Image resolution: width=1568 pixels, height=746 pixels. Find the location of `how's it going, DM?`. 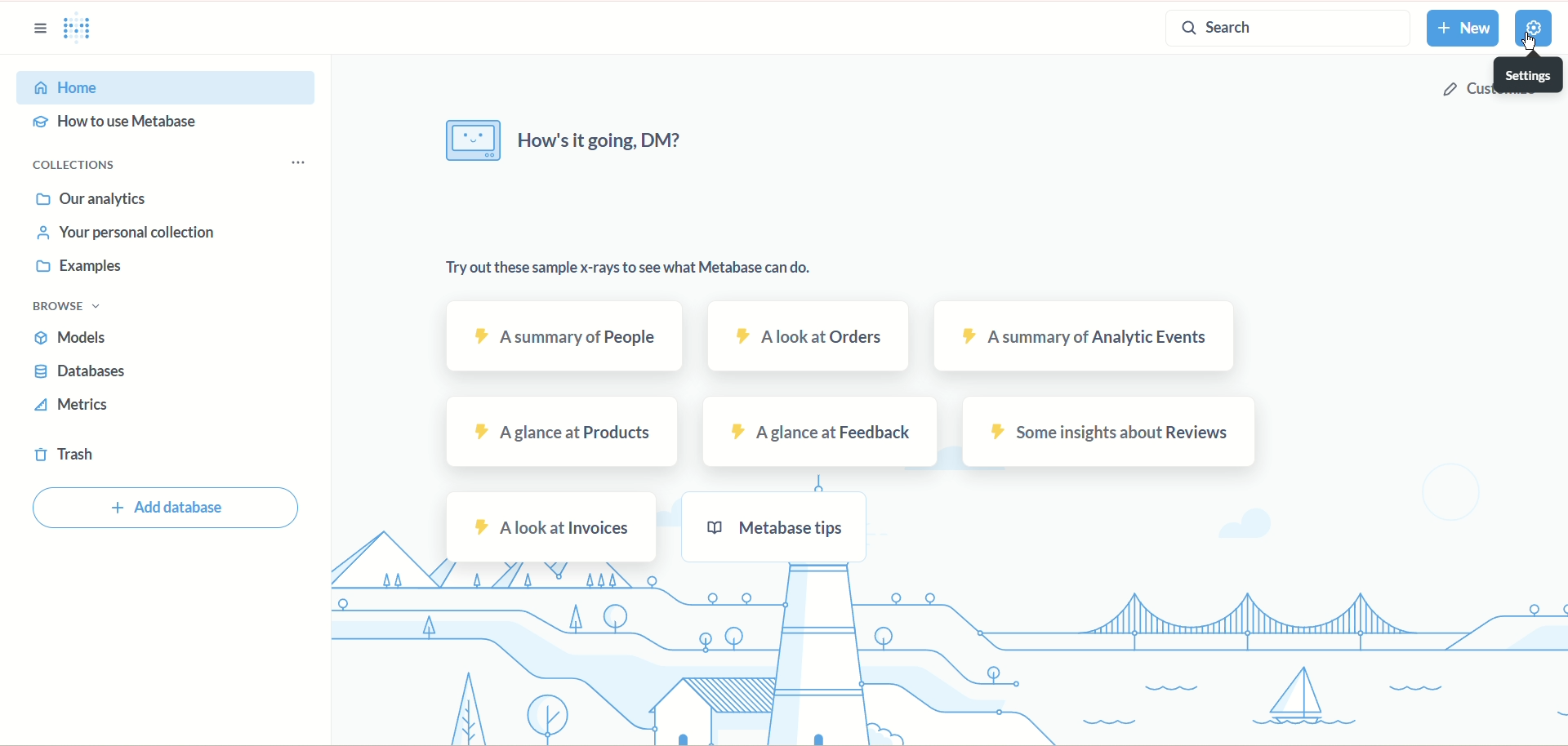

how's it going, DM? is located at coordinates (609, 143).